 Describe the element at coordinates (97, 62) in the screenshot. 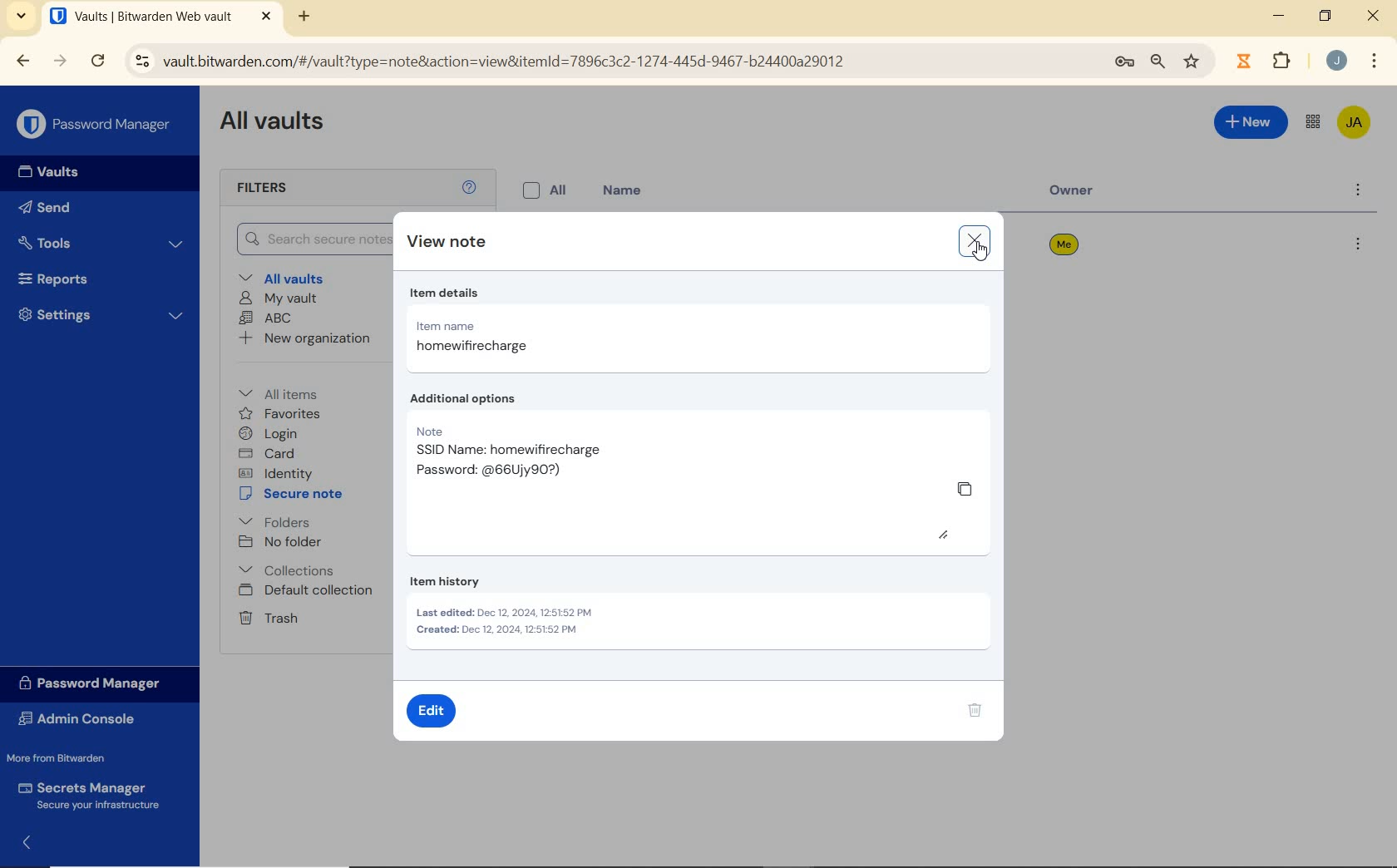

I see `reload` at that location.